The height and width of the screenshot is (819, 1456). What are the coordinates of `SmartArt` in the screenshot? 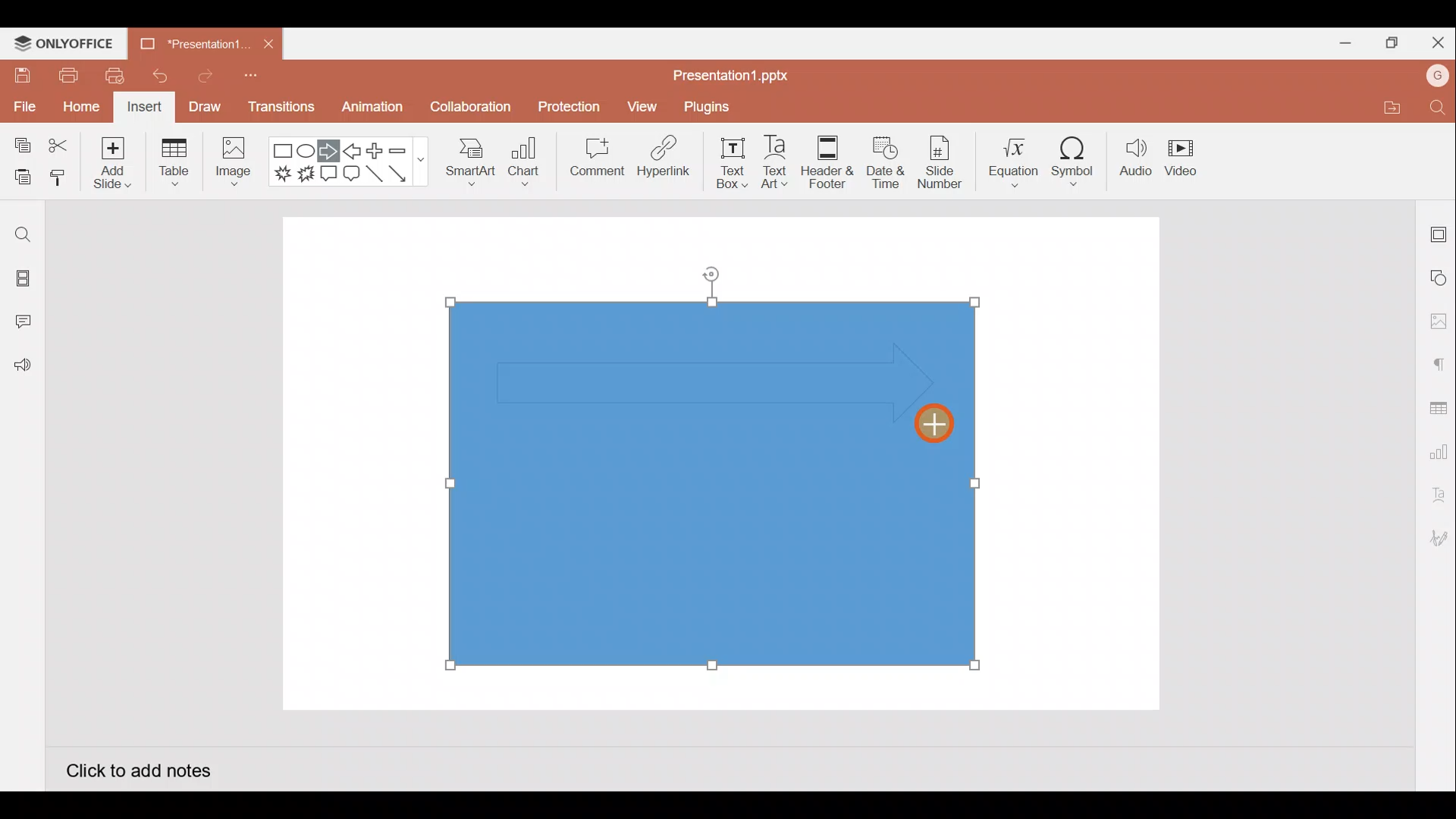 It's located at (469, 159).